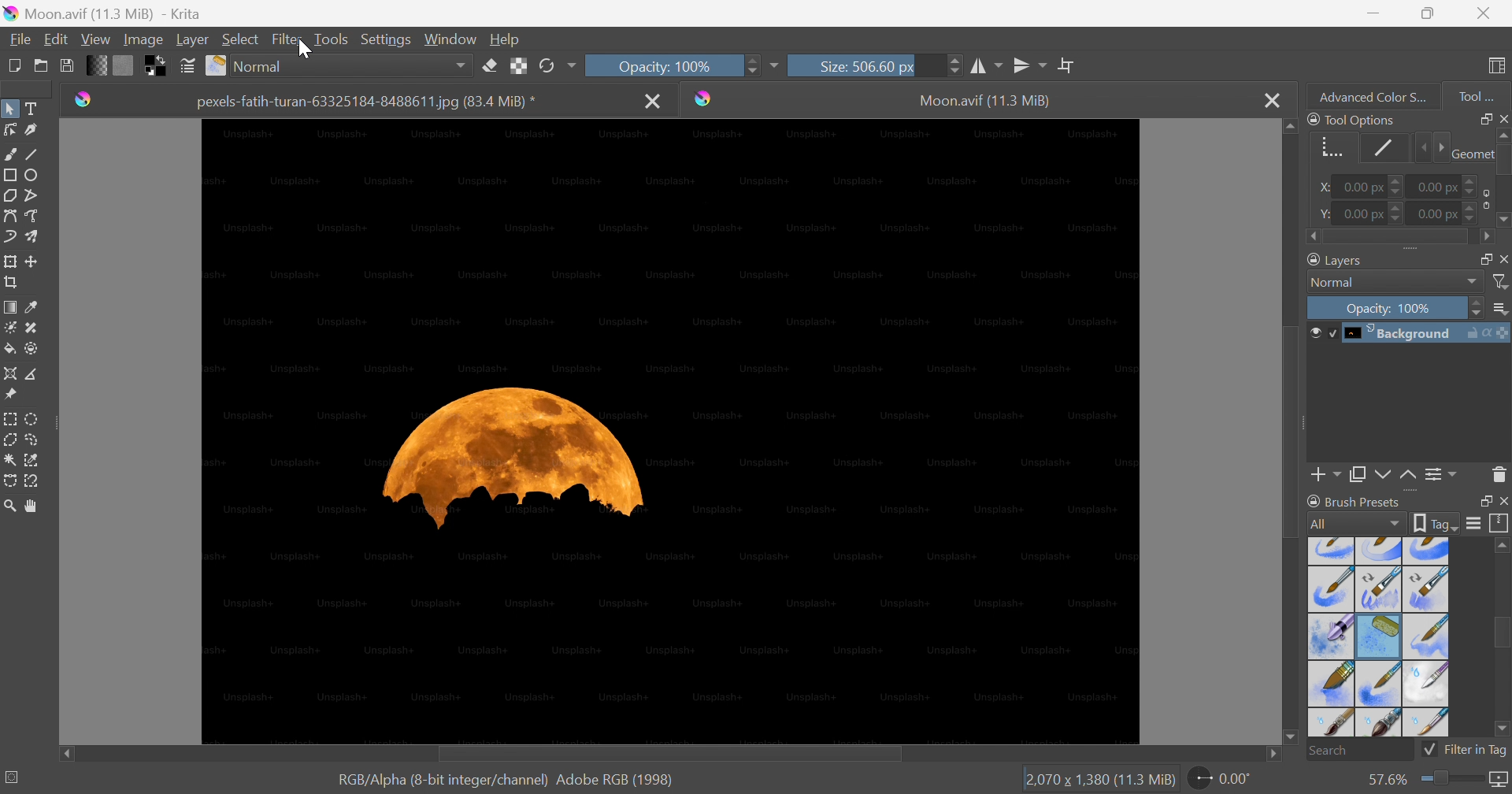  What do you see at coordinates (1499, 477) in the screenshot?
I see `Delete the layer or mask` at bounding box center [1499, 477].